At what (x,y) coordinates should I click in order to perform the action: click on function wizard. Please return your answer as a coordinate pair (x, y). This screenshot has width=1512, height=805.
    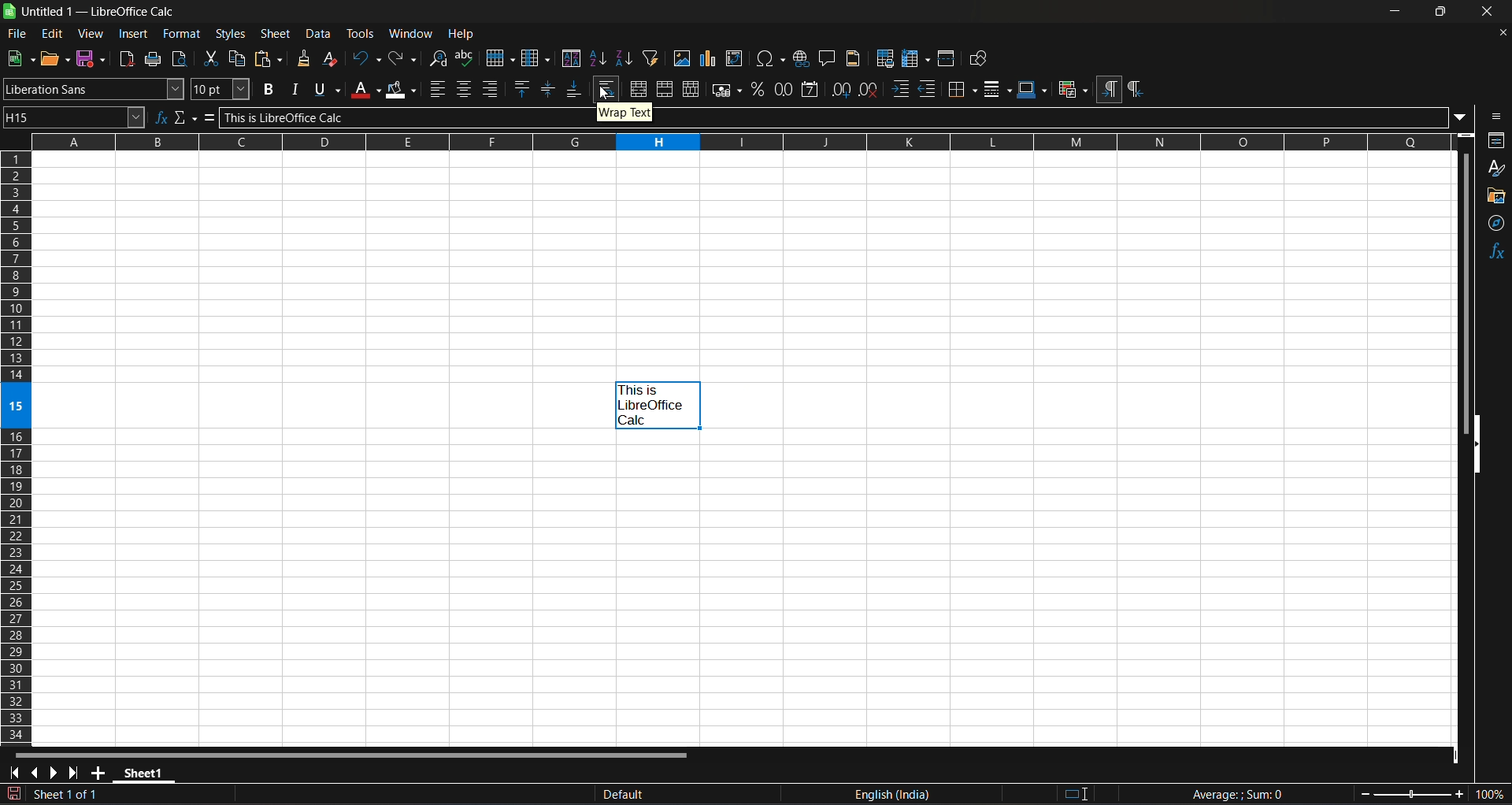
    Looking at the image, I should click on (162, 117).